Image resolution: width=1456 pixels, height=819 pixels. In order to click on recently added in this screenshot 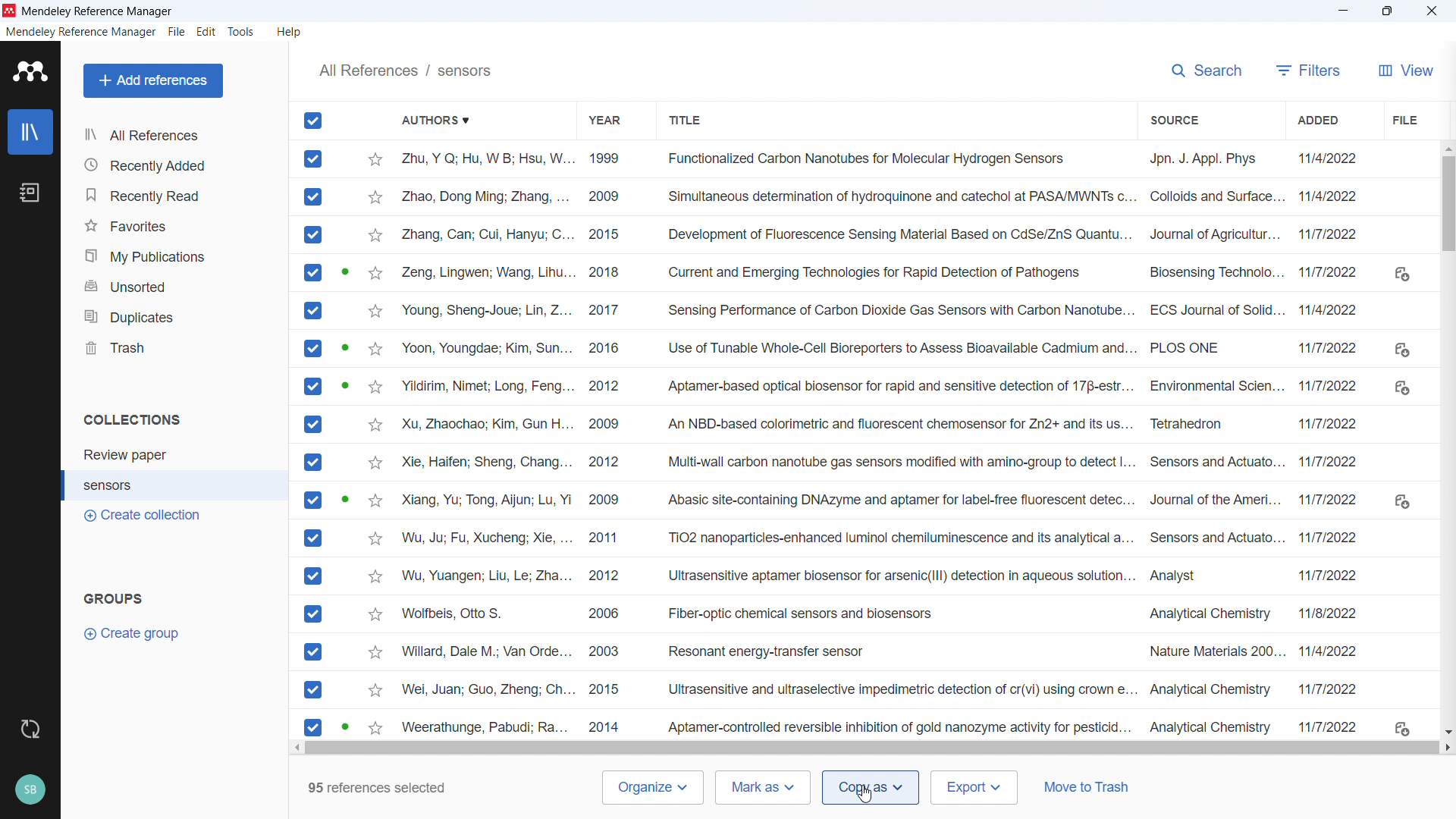, I will do `click(175, 164)`.